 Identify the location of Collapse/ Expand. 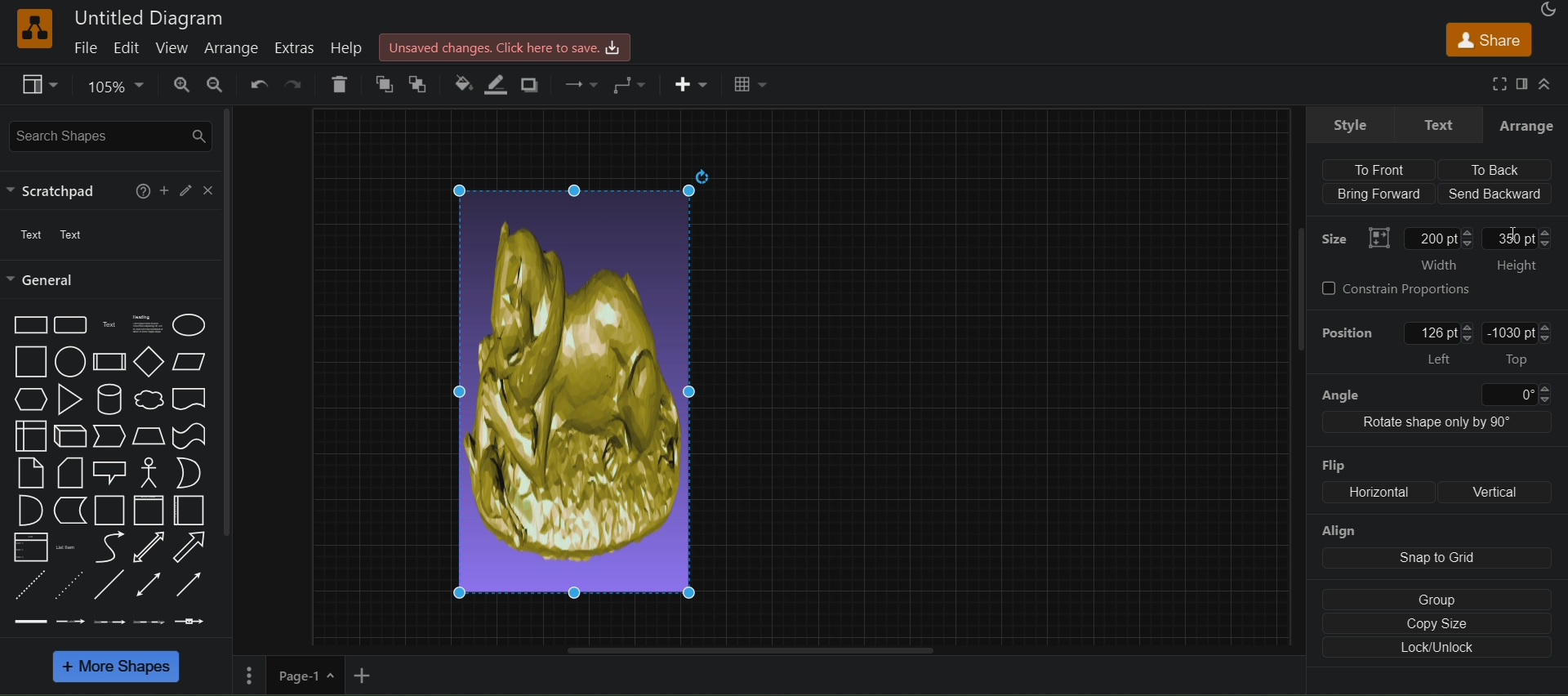
(1546, 86).